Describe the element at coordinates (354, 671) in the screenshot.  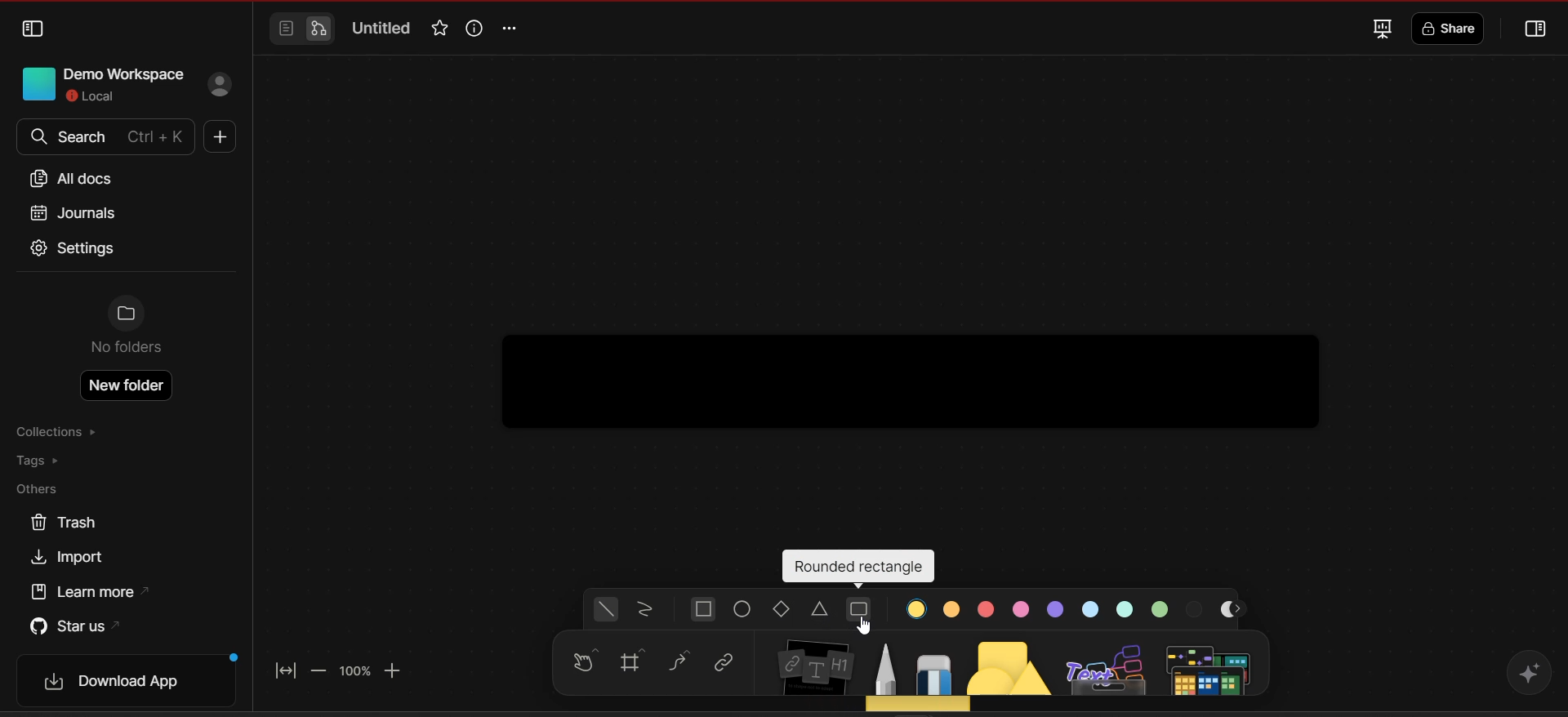
I see `zoom factor` at that location.